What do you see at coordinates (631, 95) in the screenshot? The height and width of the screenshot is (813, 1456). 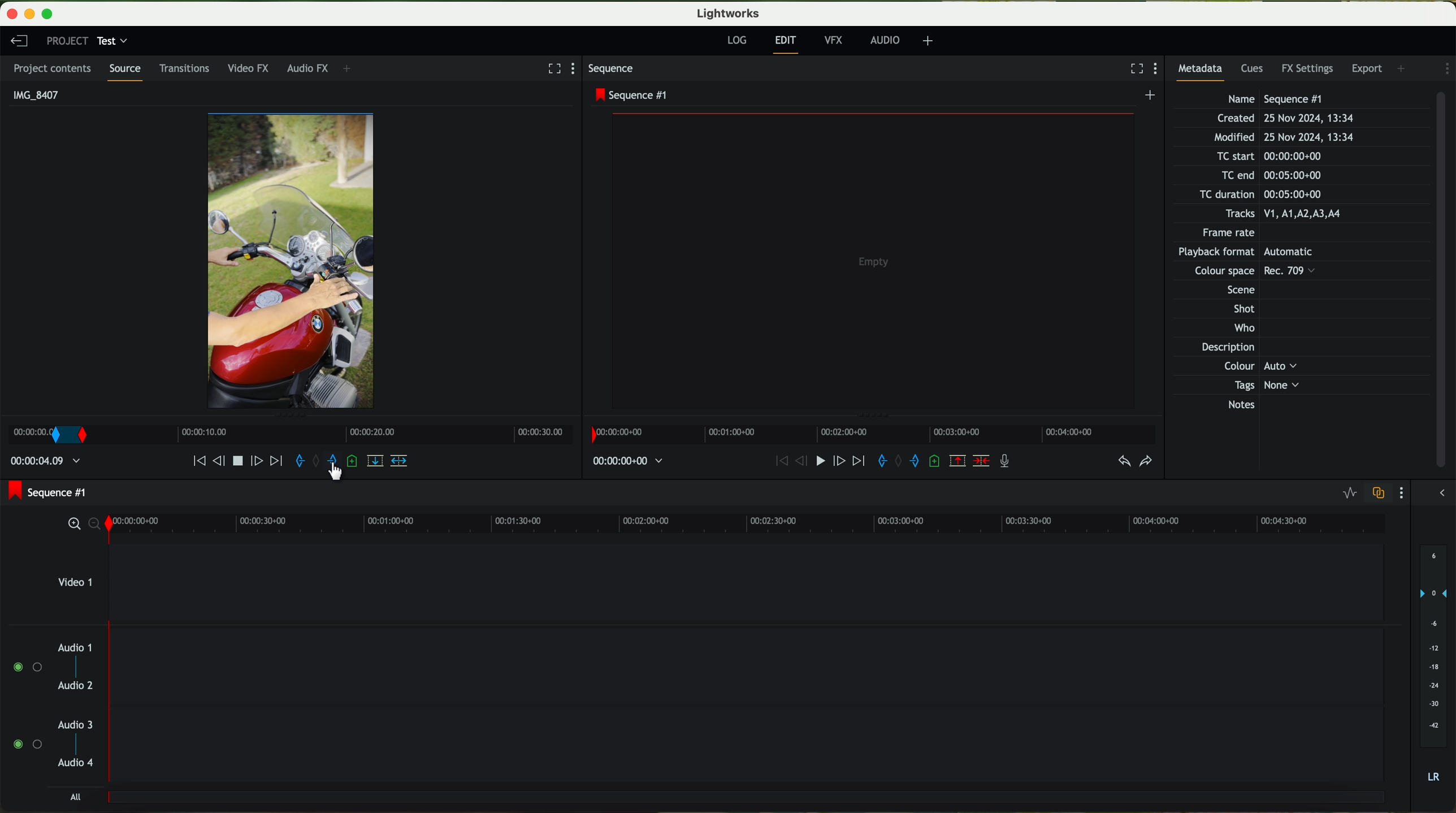 I see `sequence #1` at bounding box center [631, 95].